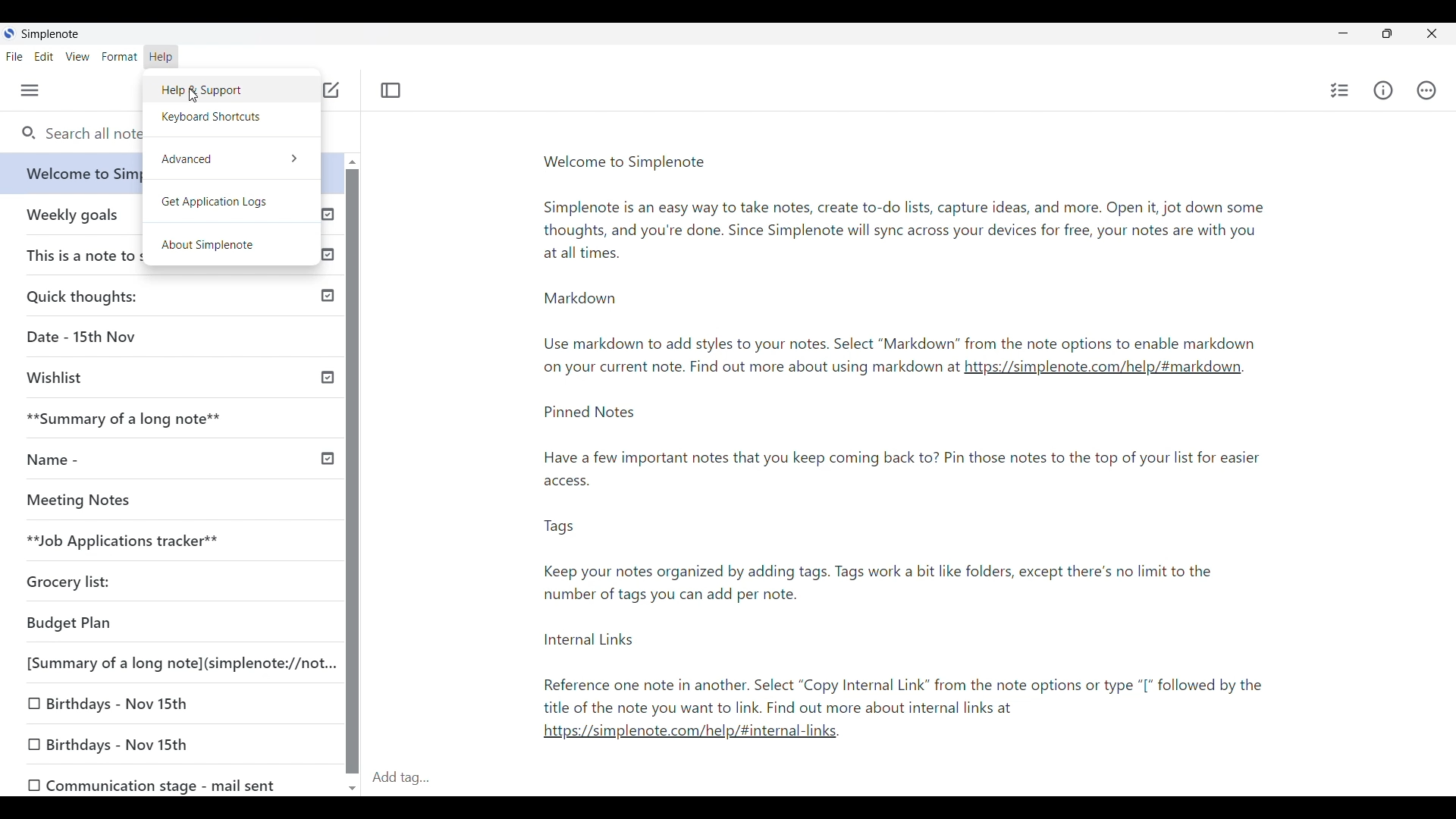 The image size is (1456, 819). I want to click on Insert checklist, so click(1340, 90).